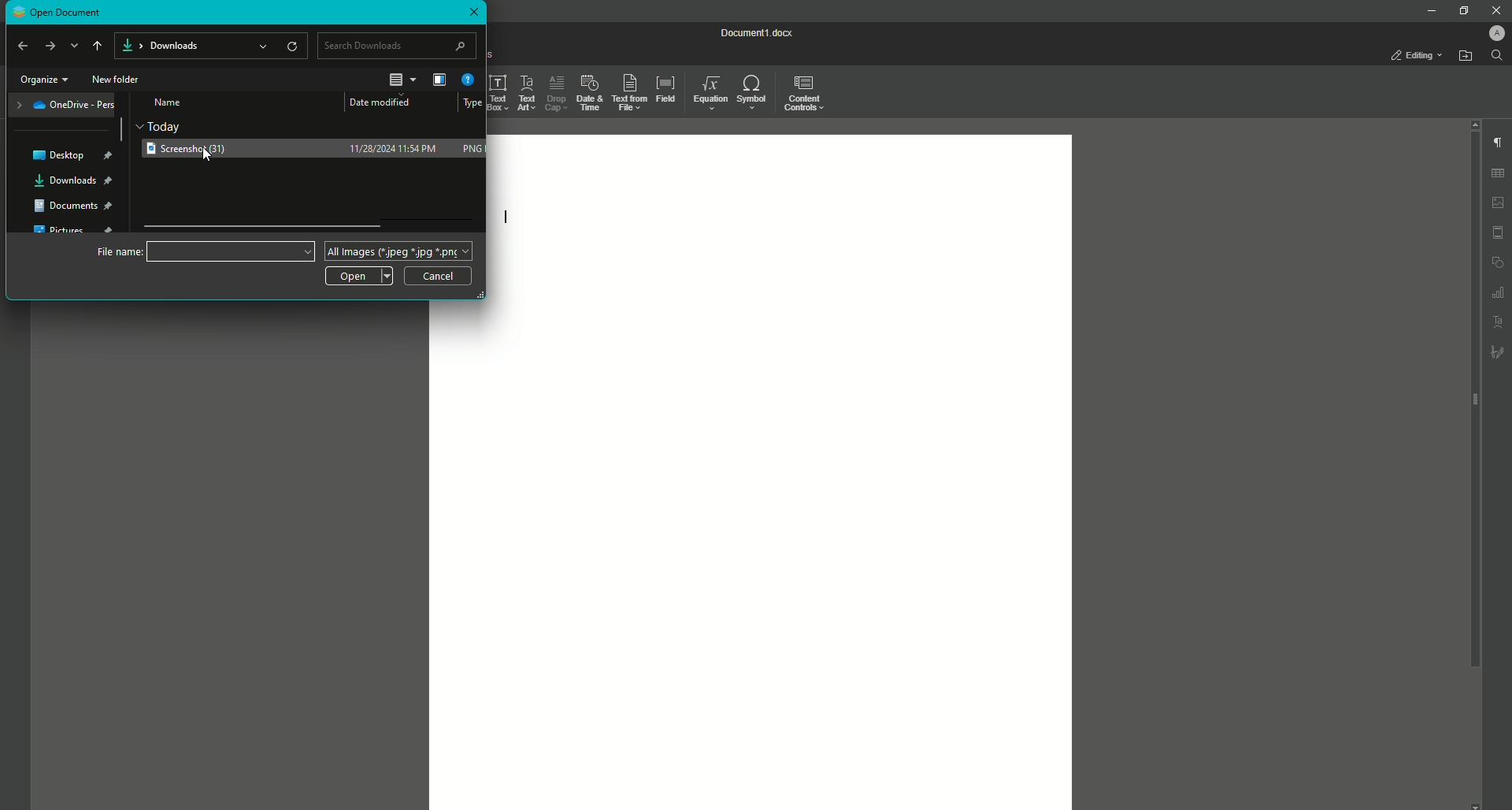  I want to click on Text From File, so click(629, 90).